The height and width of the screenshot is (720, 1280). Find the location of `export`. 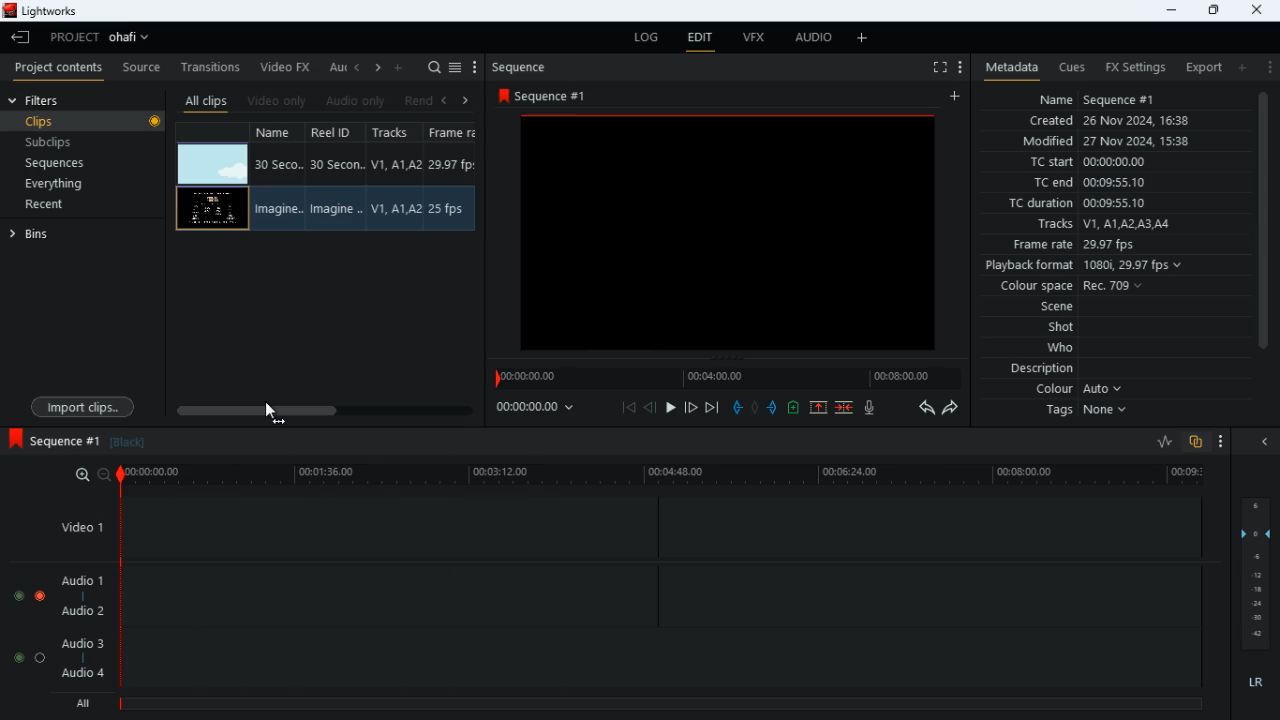

export is located at coordinates (1205, 67).